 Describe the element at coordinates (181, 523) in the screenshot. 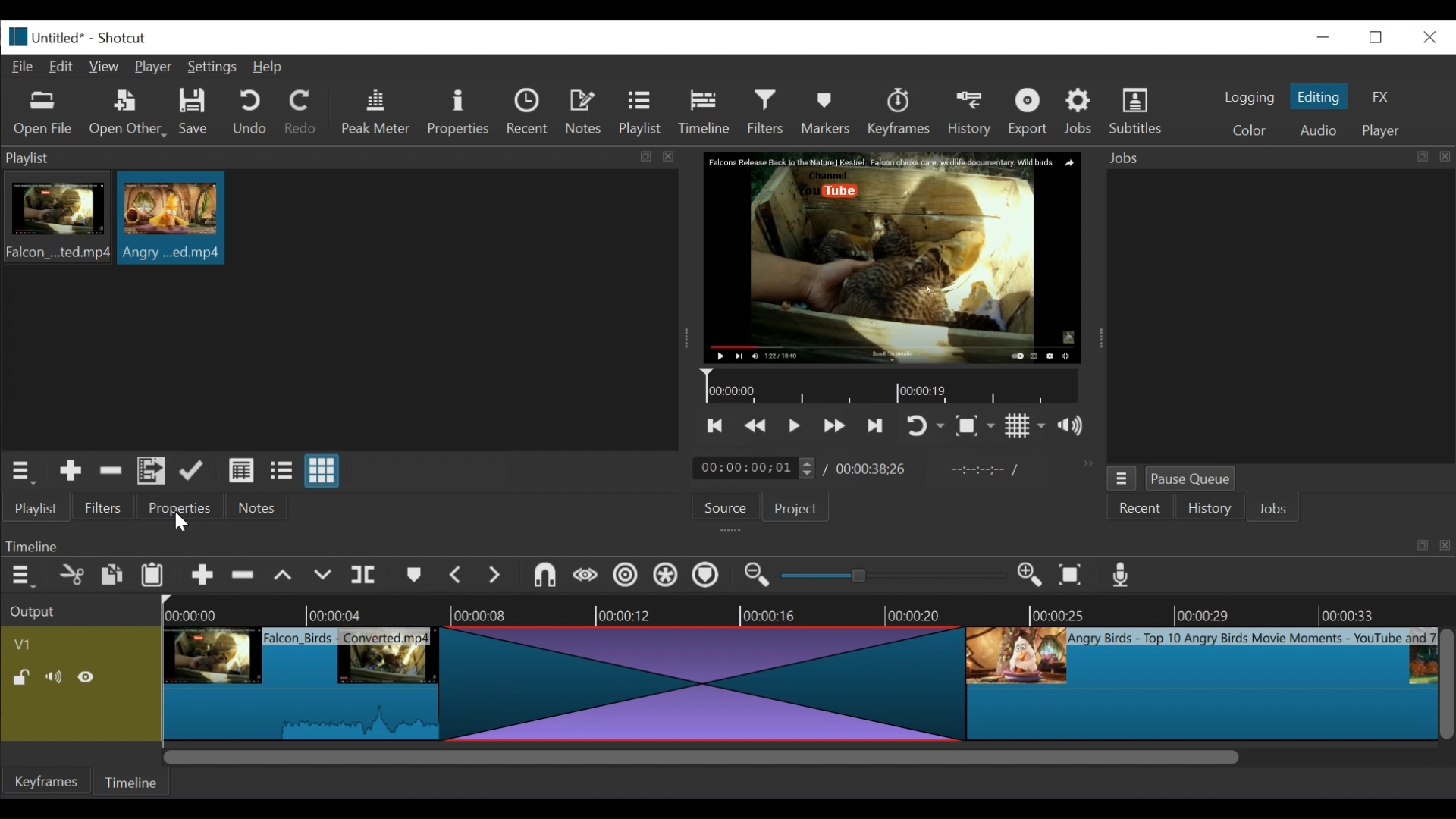

I see `cursor` at that location.